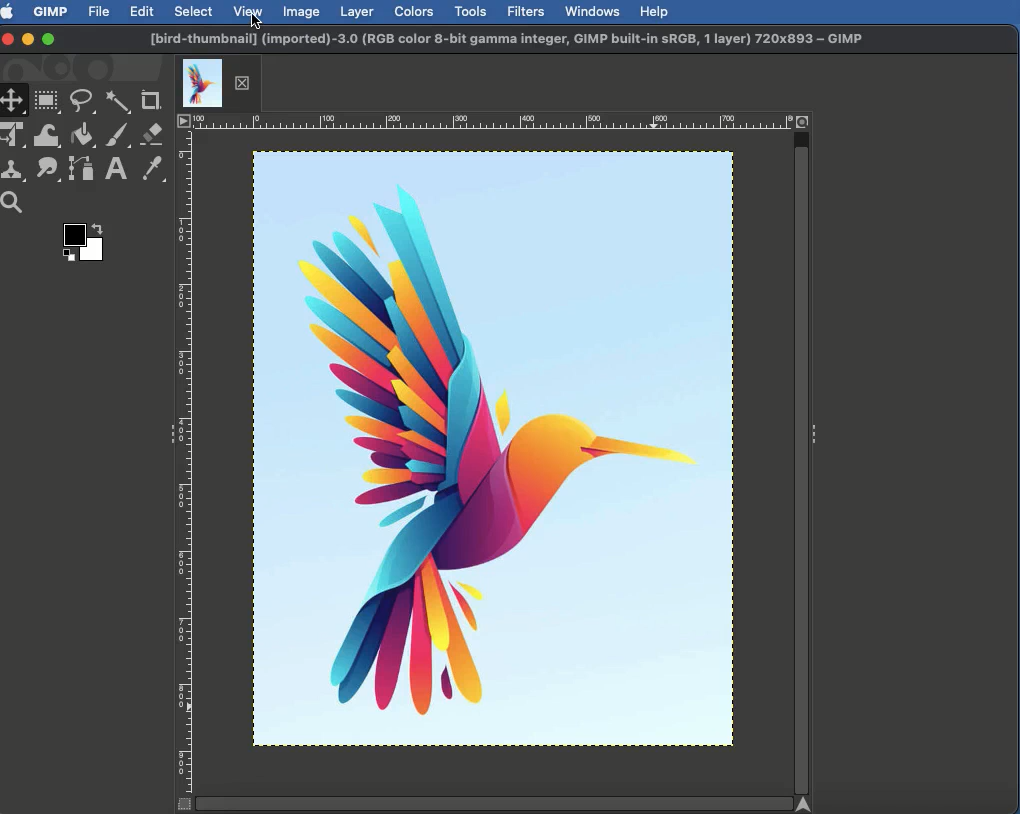  I want to click on Image, so click(302, 11).